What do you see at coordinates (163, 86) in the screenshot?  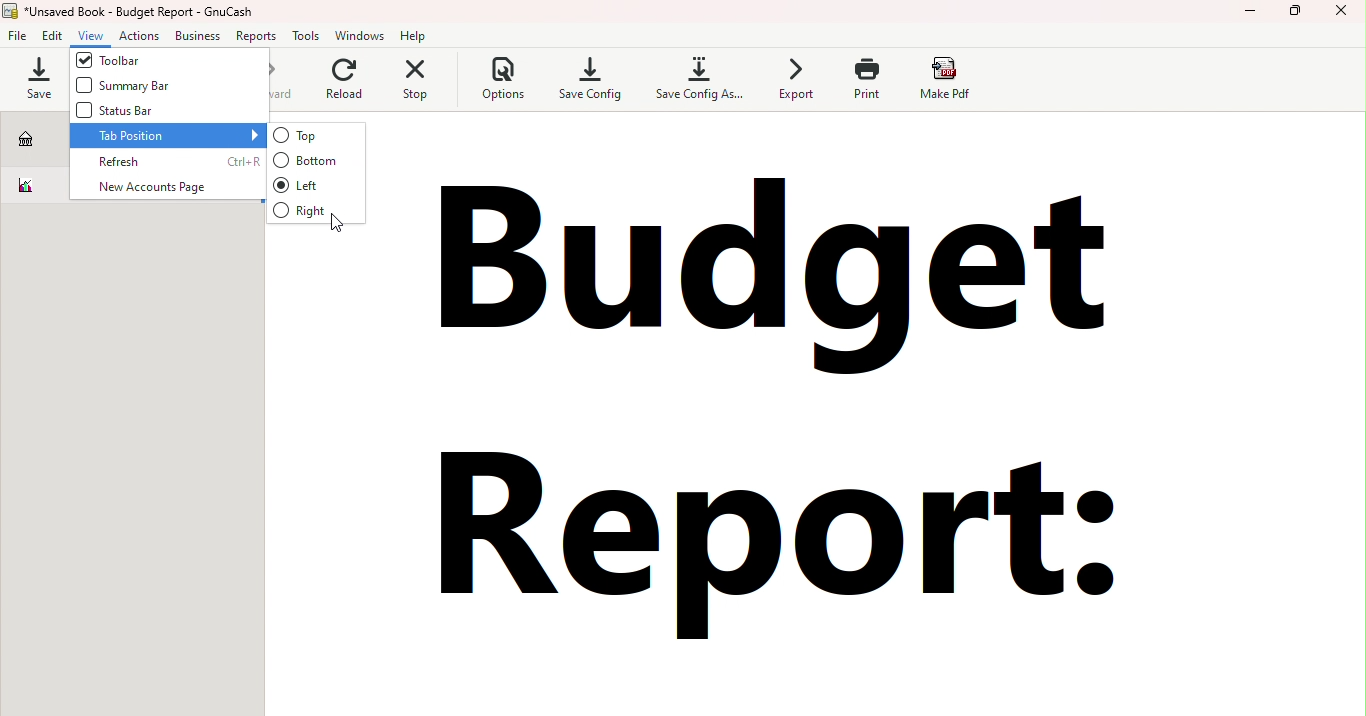 I see `Summary Bar` at bounding box center [163, 86].